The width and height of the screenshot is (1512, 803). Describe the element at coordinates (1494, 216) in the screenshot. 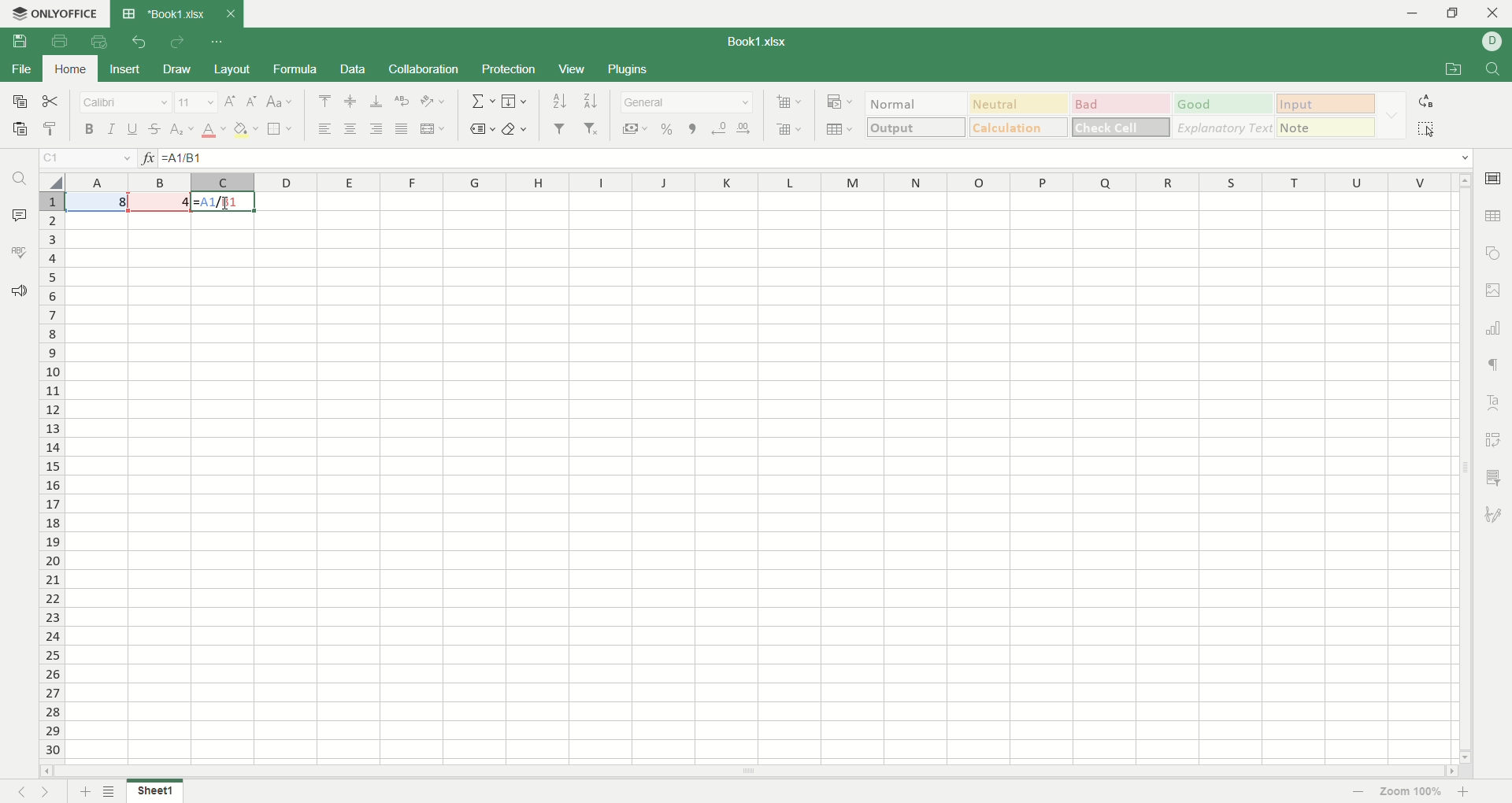

I see `table settings` at that location.